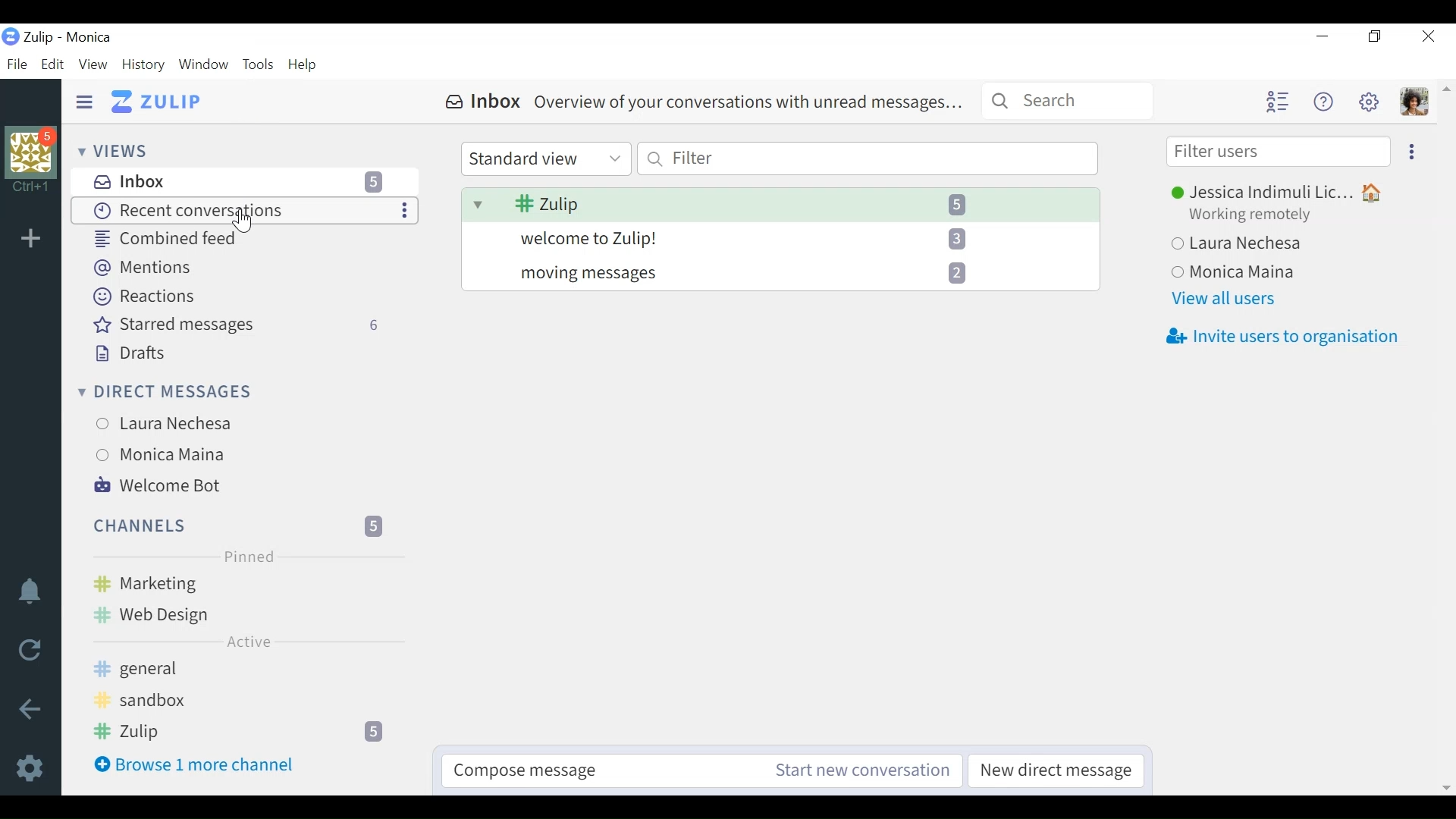  I want to click on Laura Nechesa, so click(1270, 246).